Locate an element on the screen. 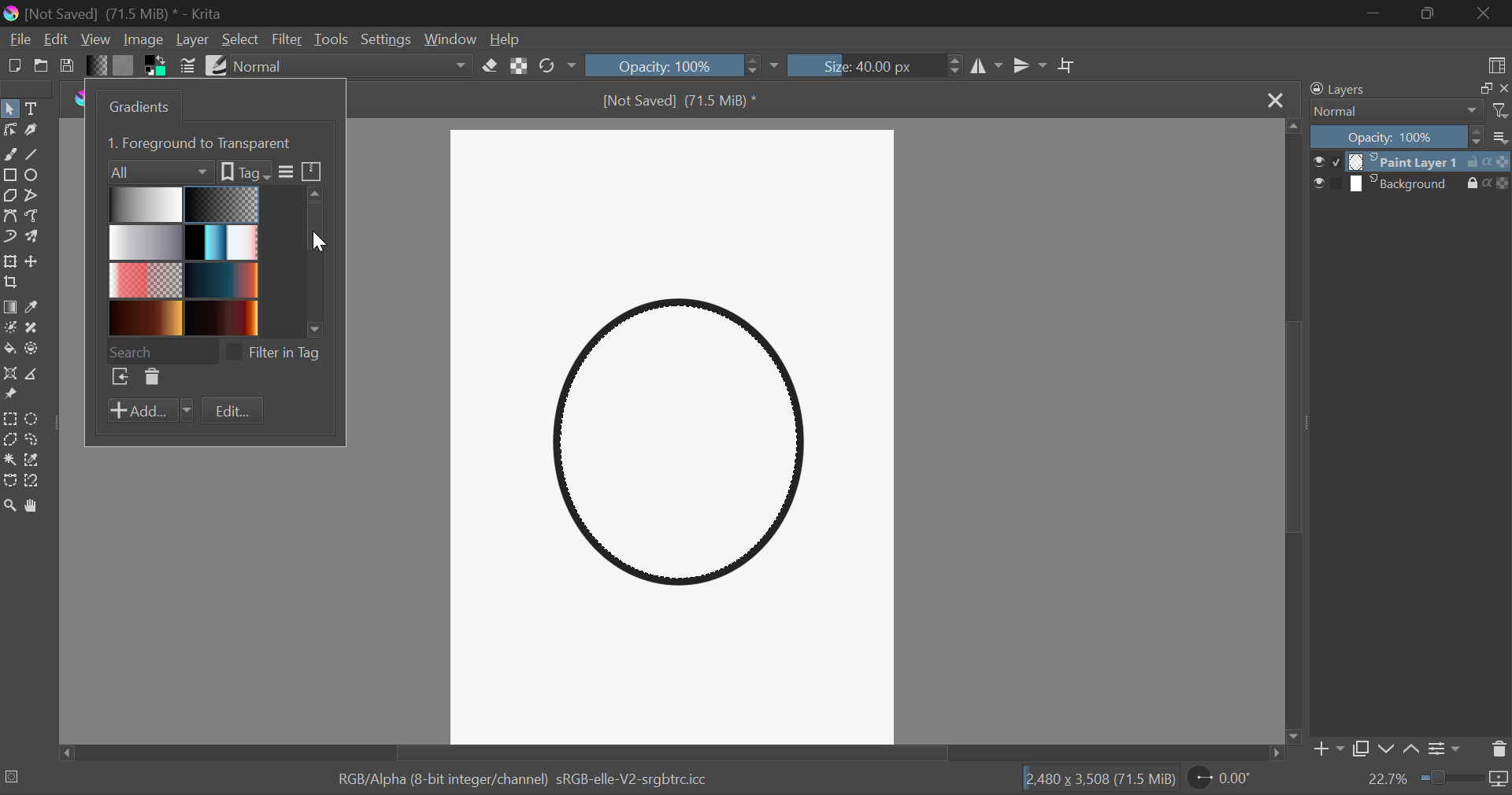 The image size is (1512, 795). Delete is located at coordinates (153, 378).